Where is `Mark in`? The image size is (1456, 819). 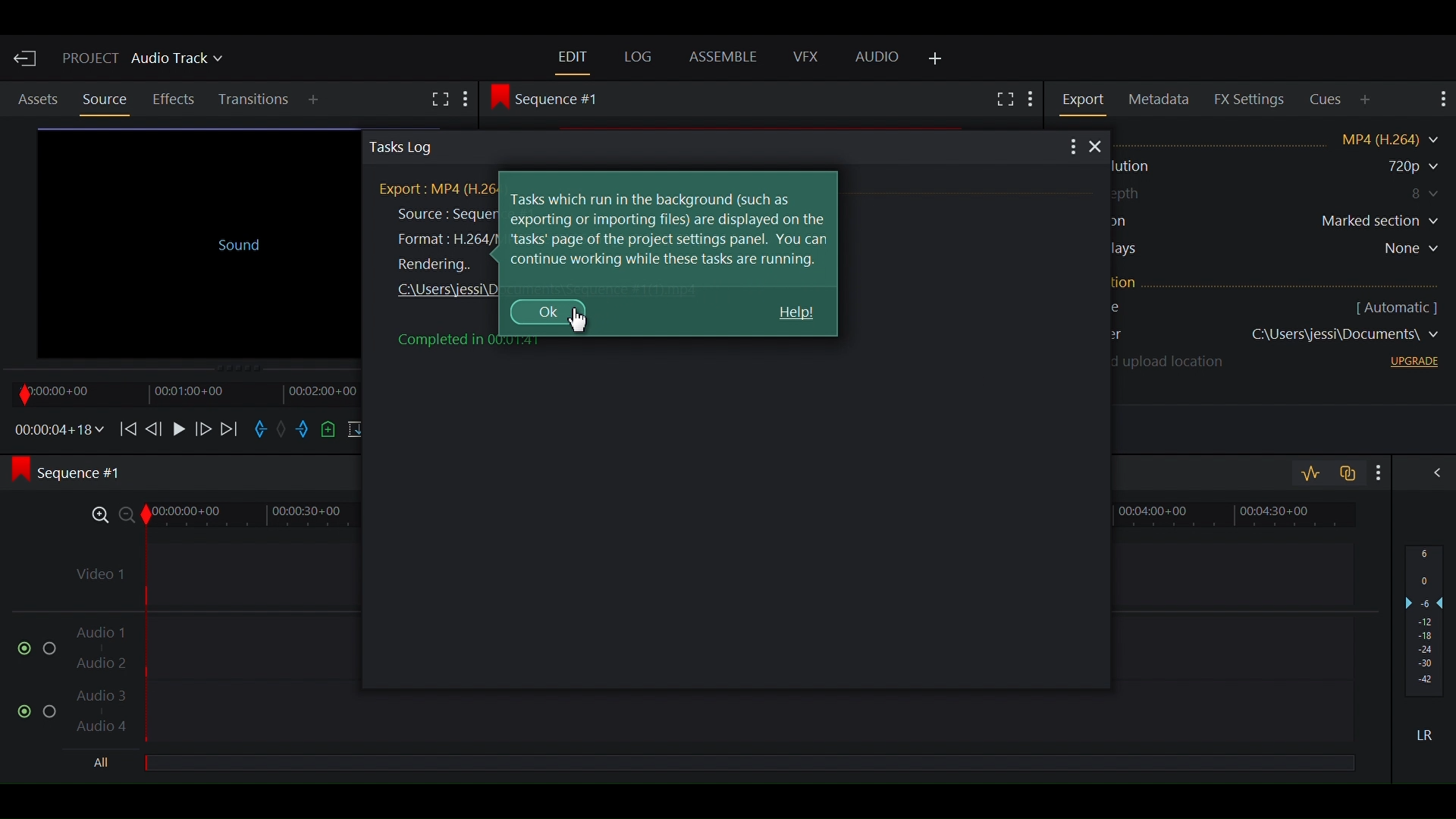 Mark in is located at coordinates (262, 431).